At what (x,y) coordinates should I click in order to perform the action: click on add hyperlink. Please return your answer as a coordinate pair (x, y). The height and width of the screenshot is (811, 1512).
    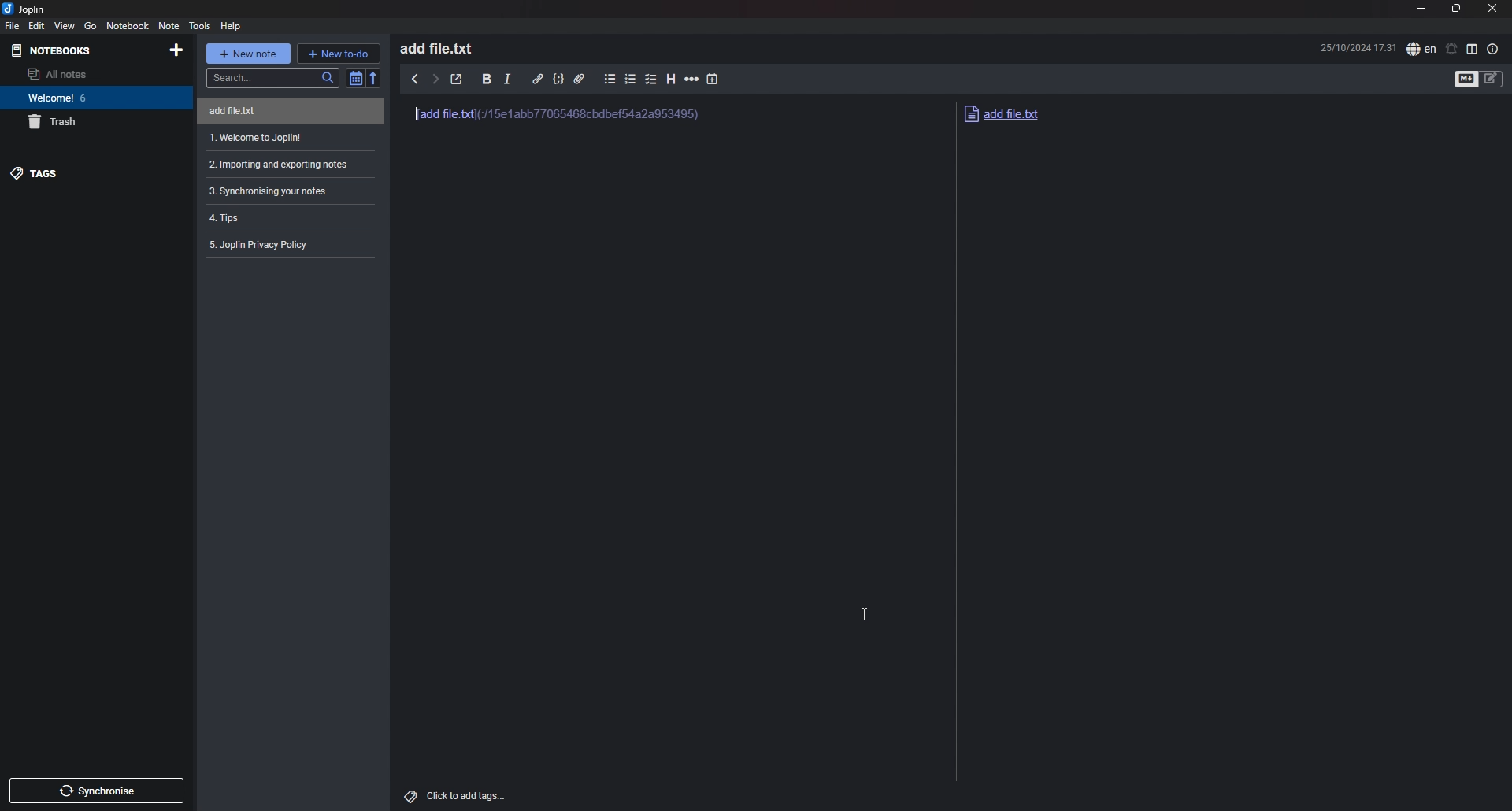
    Looking at the image, I should click on (539, 80).